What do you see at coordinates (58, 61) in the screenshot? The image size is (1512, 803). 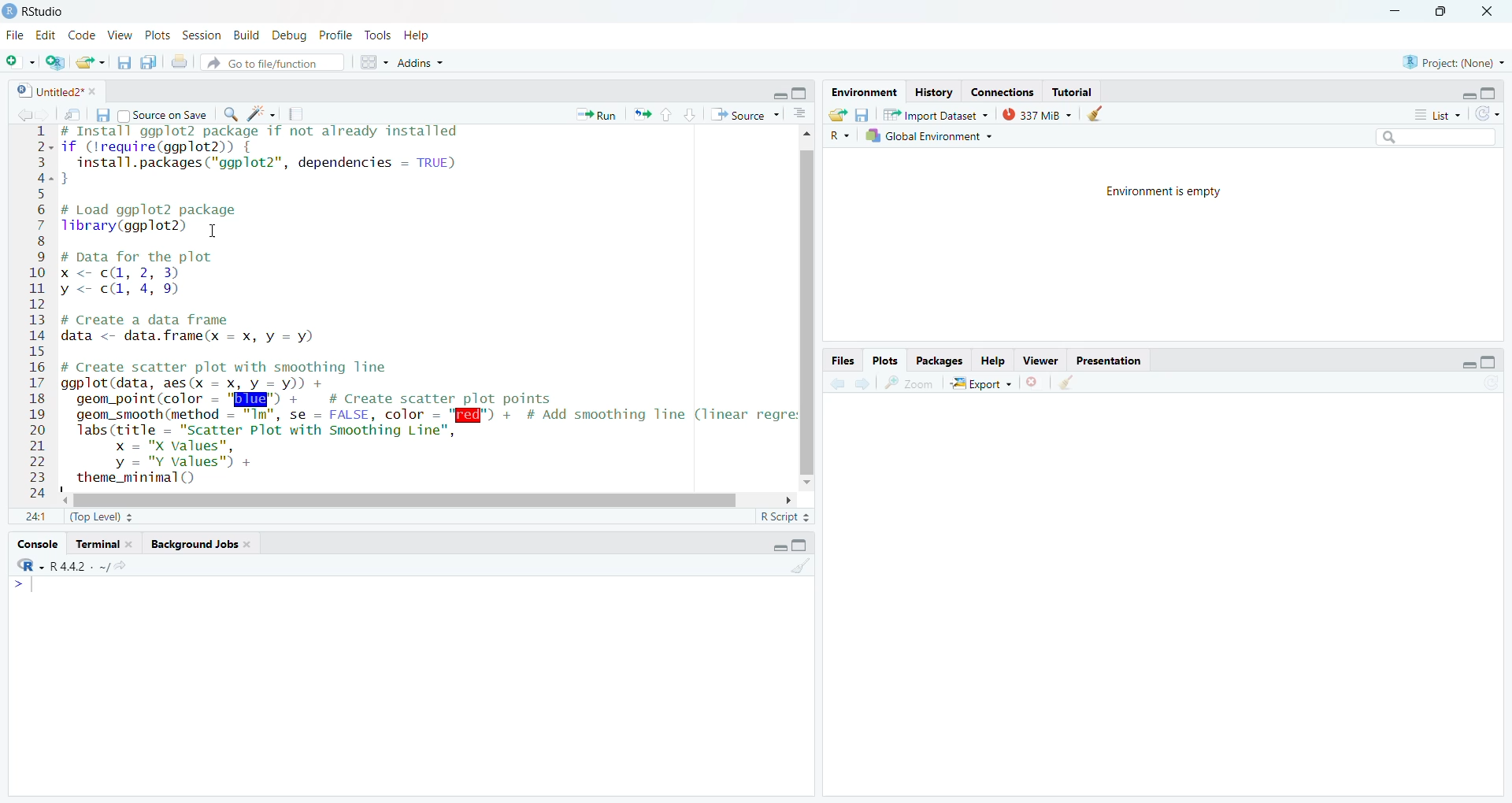 I see `create new project` at bounding box center [58, 61].